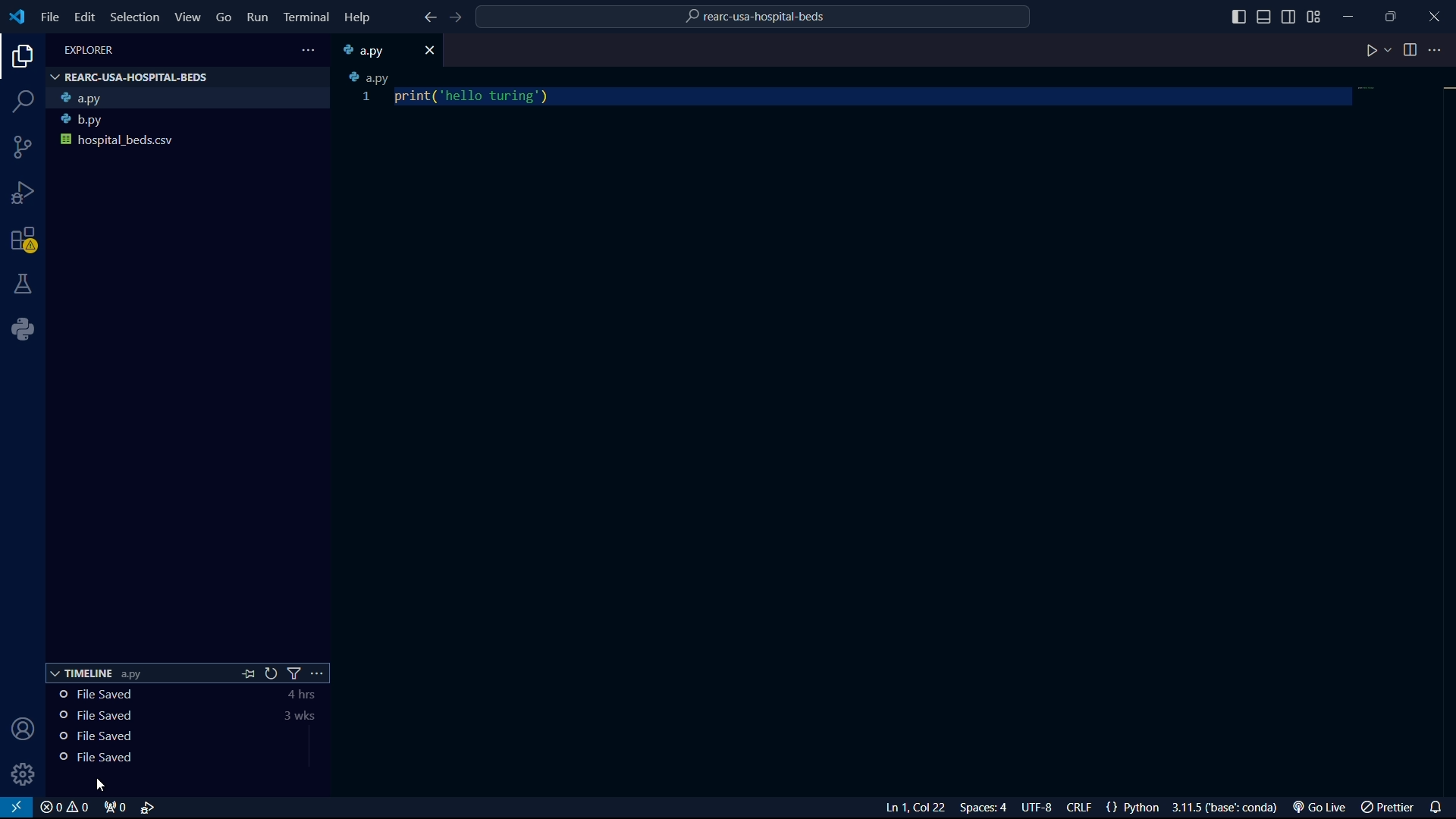  Describe the element at coordinates (163, 696) in the screenshot. I see `timeline` at that location.